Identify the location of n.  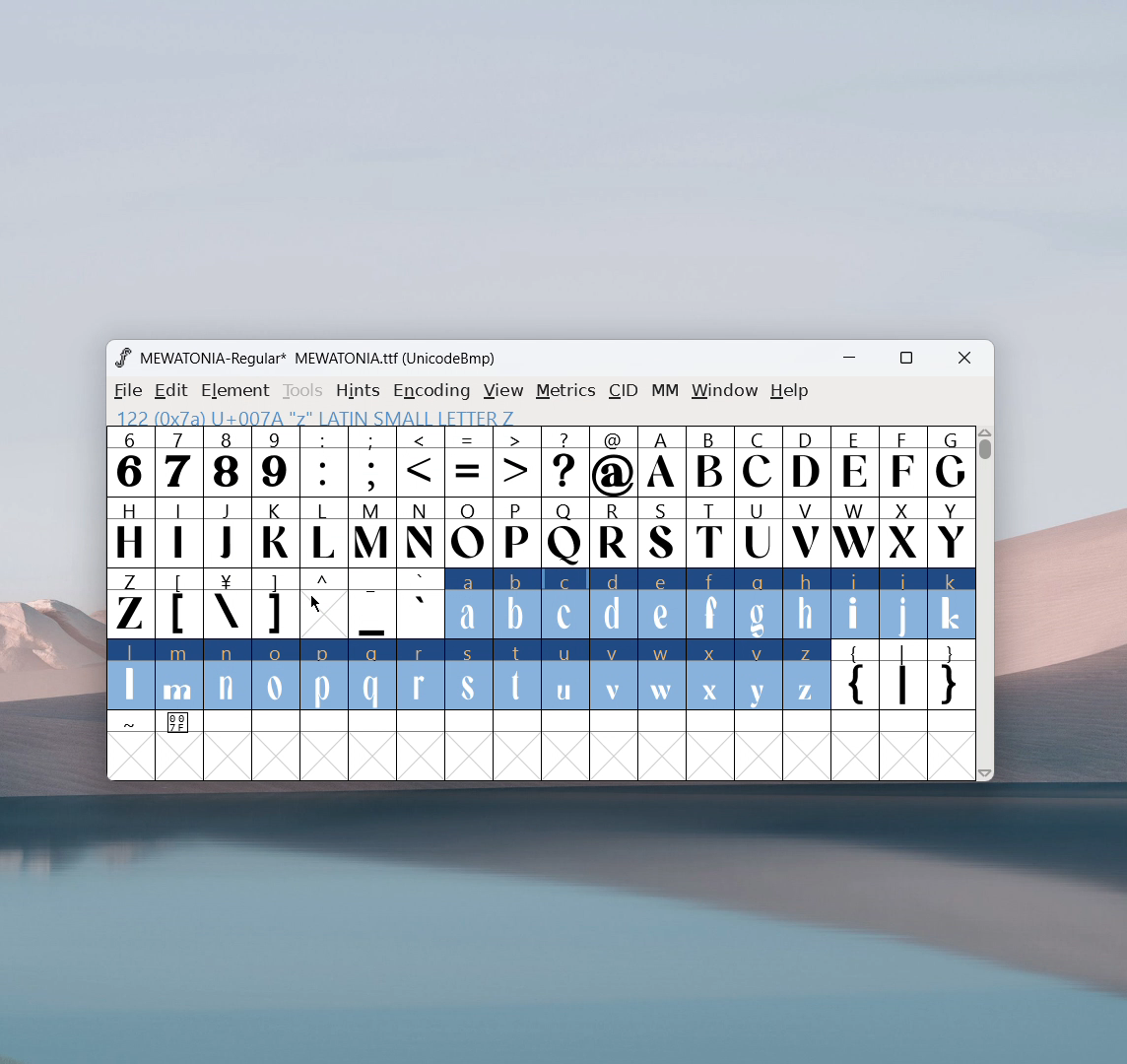
(228, 677).